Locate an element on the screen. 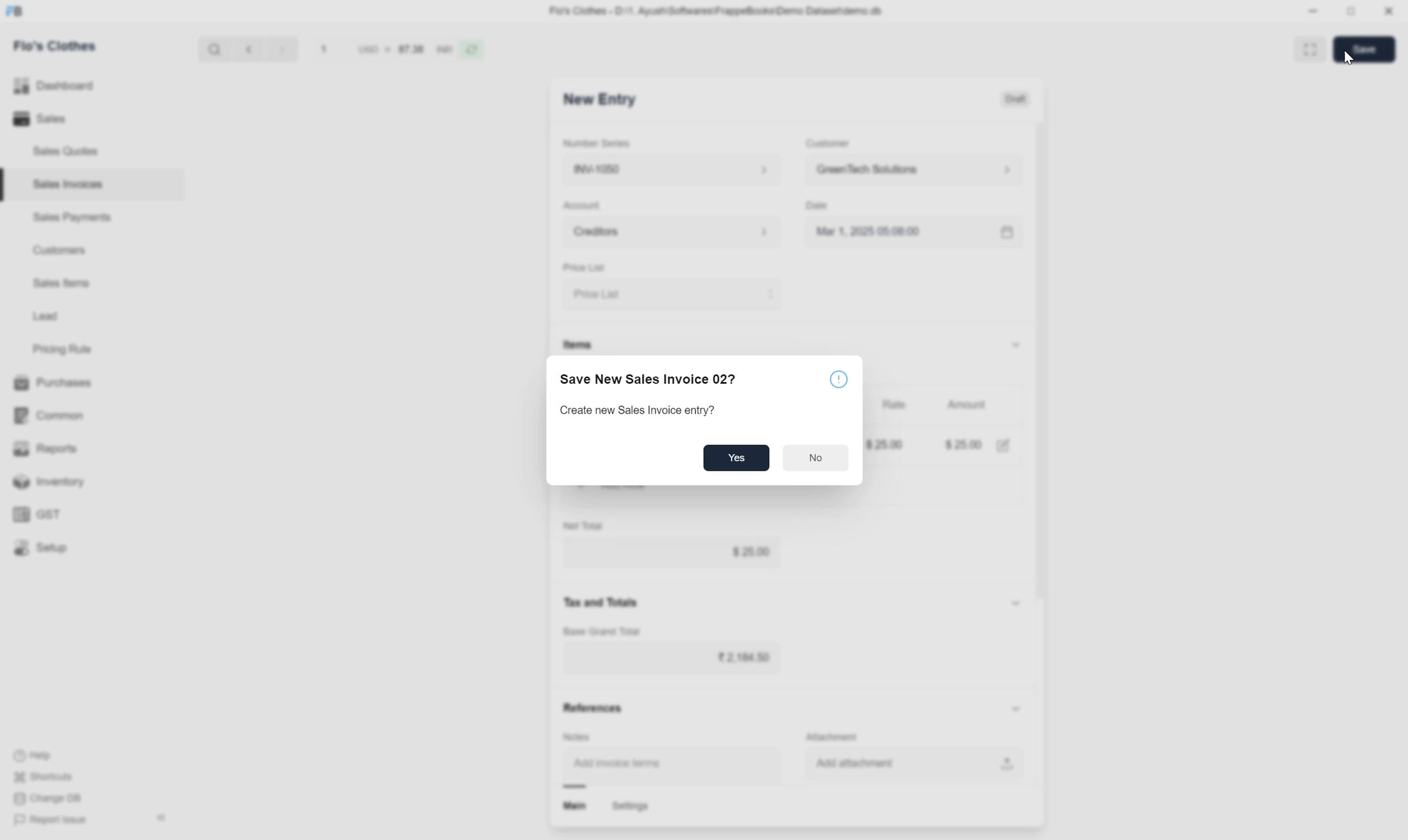 This screenshot has width=1408, height=840. Change DB is located at coordinates (50, 800).